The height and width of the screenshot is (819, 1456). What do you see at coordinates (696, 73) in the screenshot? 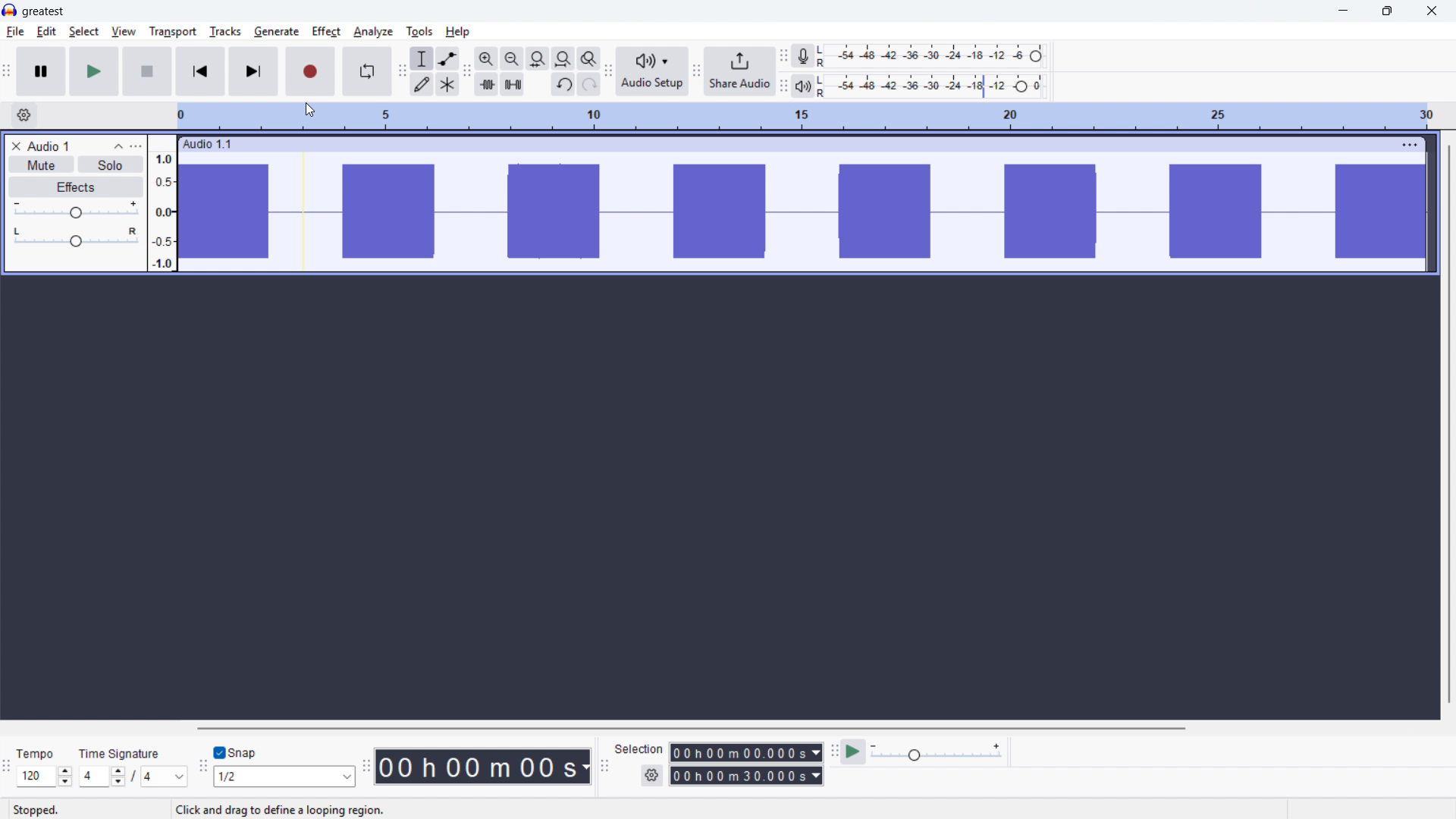
I see `share audio toolbar` at bounding box center [696, 73].